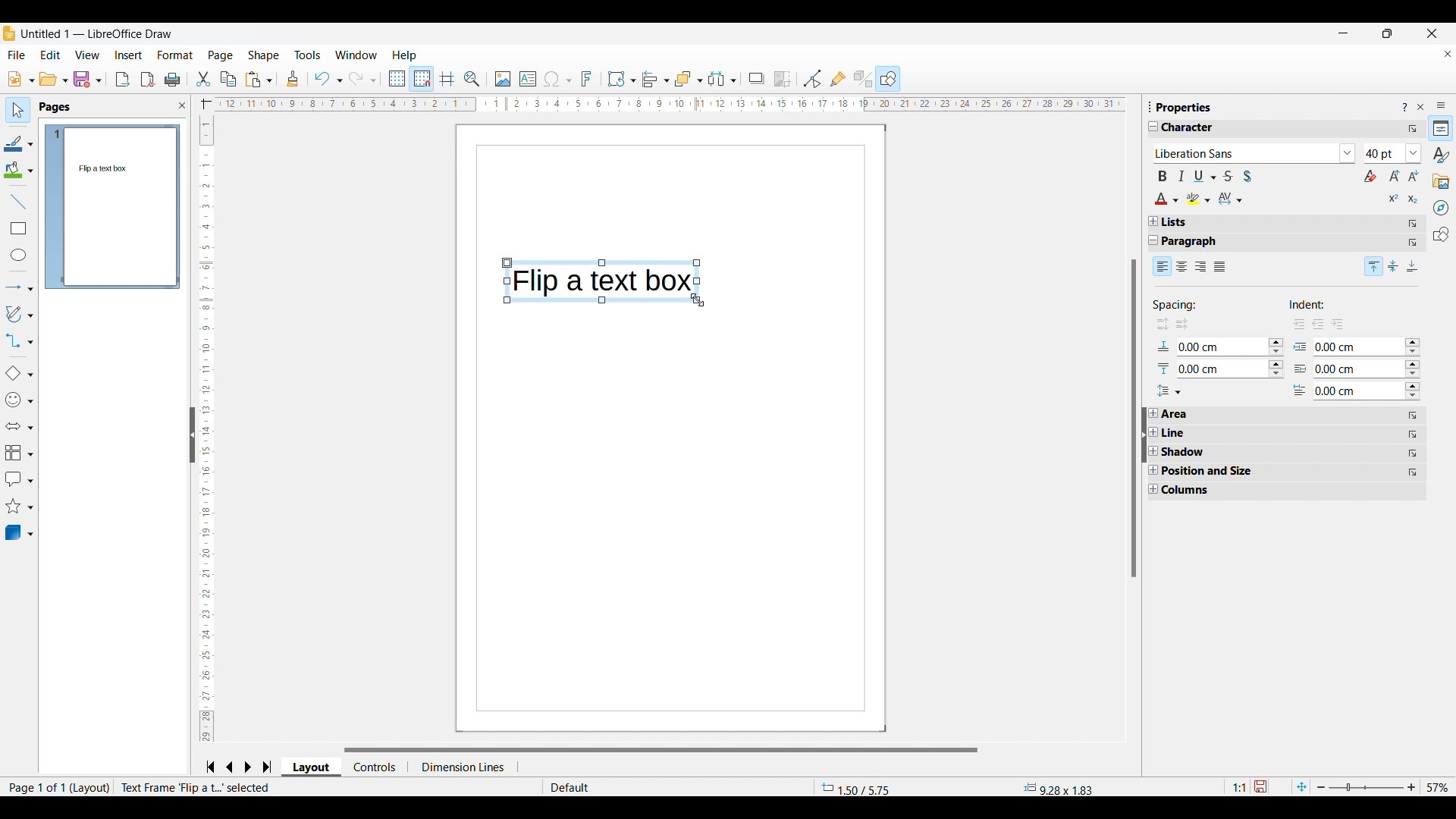  Describe the element at coordinates (183, 105) in the screenshot. I see `Close sidebar` at that location.